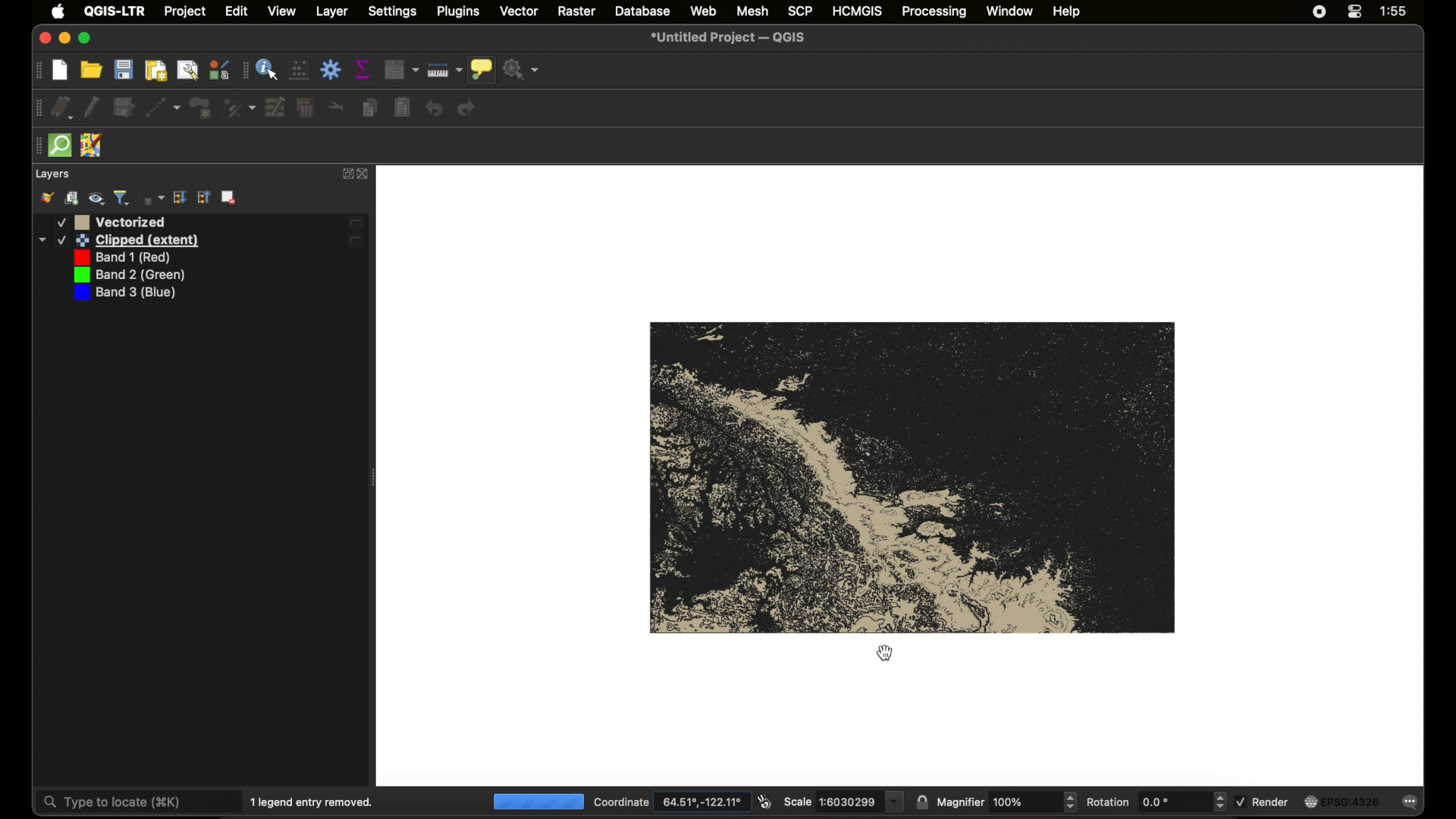 The height and width of the screenshot is (819, 1456). I want to click on open layer styling panel, so click(46, 198).